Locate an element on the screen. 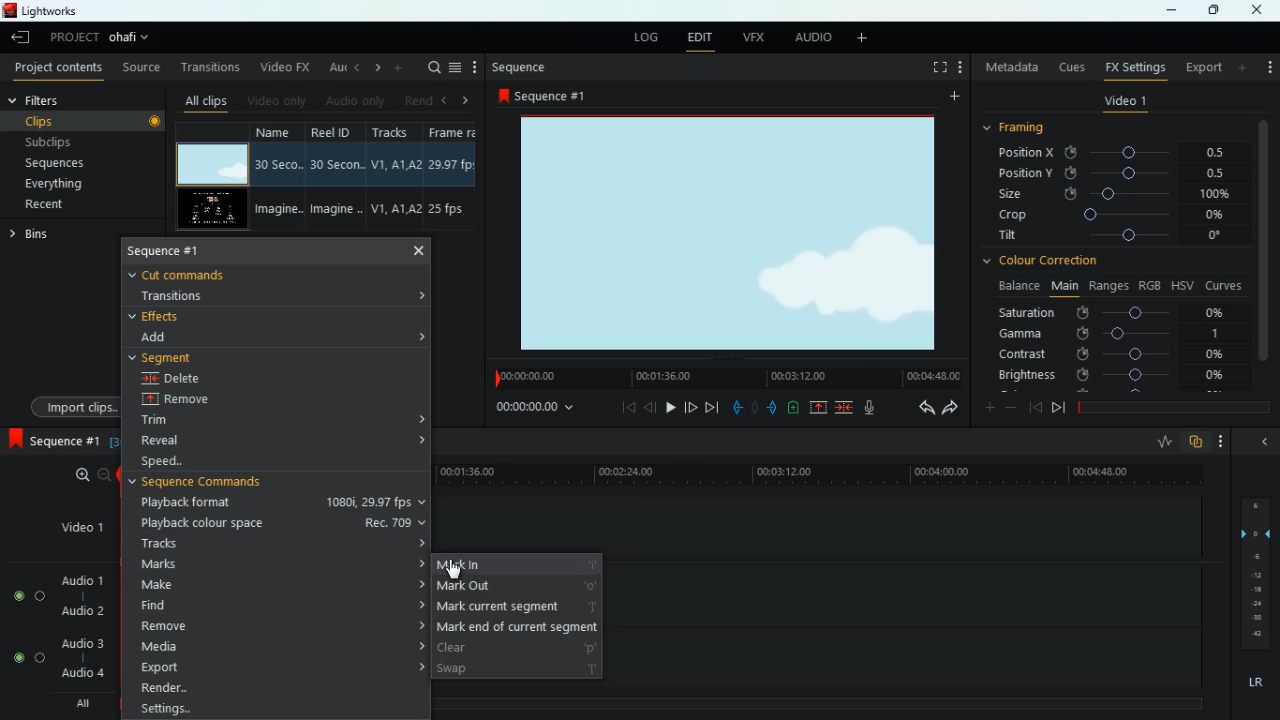  edit is located at coordinates (700, 39).